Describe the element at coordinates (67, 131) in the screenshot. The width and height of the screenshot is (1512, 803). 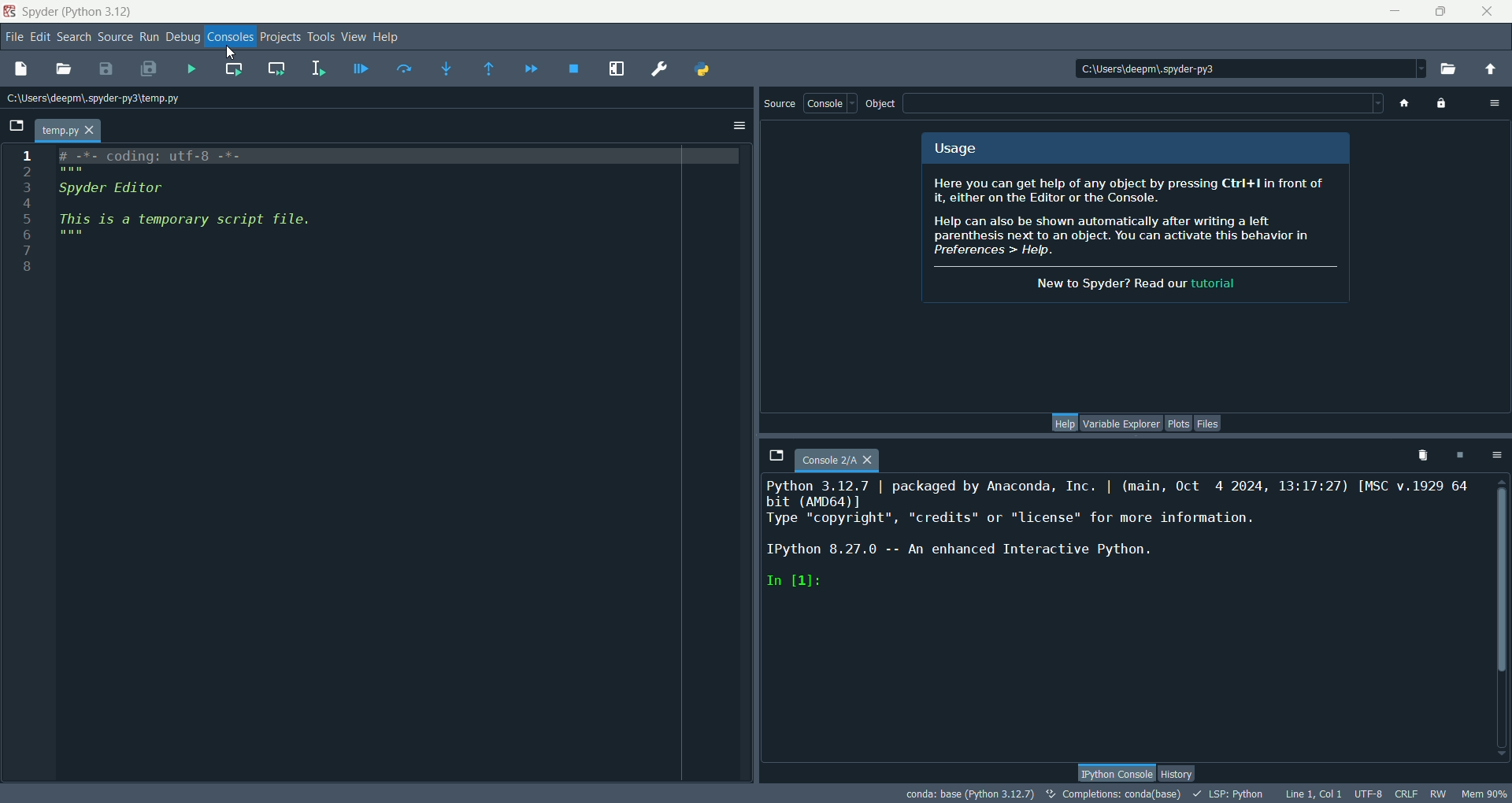
I see `temp.py` at that location.